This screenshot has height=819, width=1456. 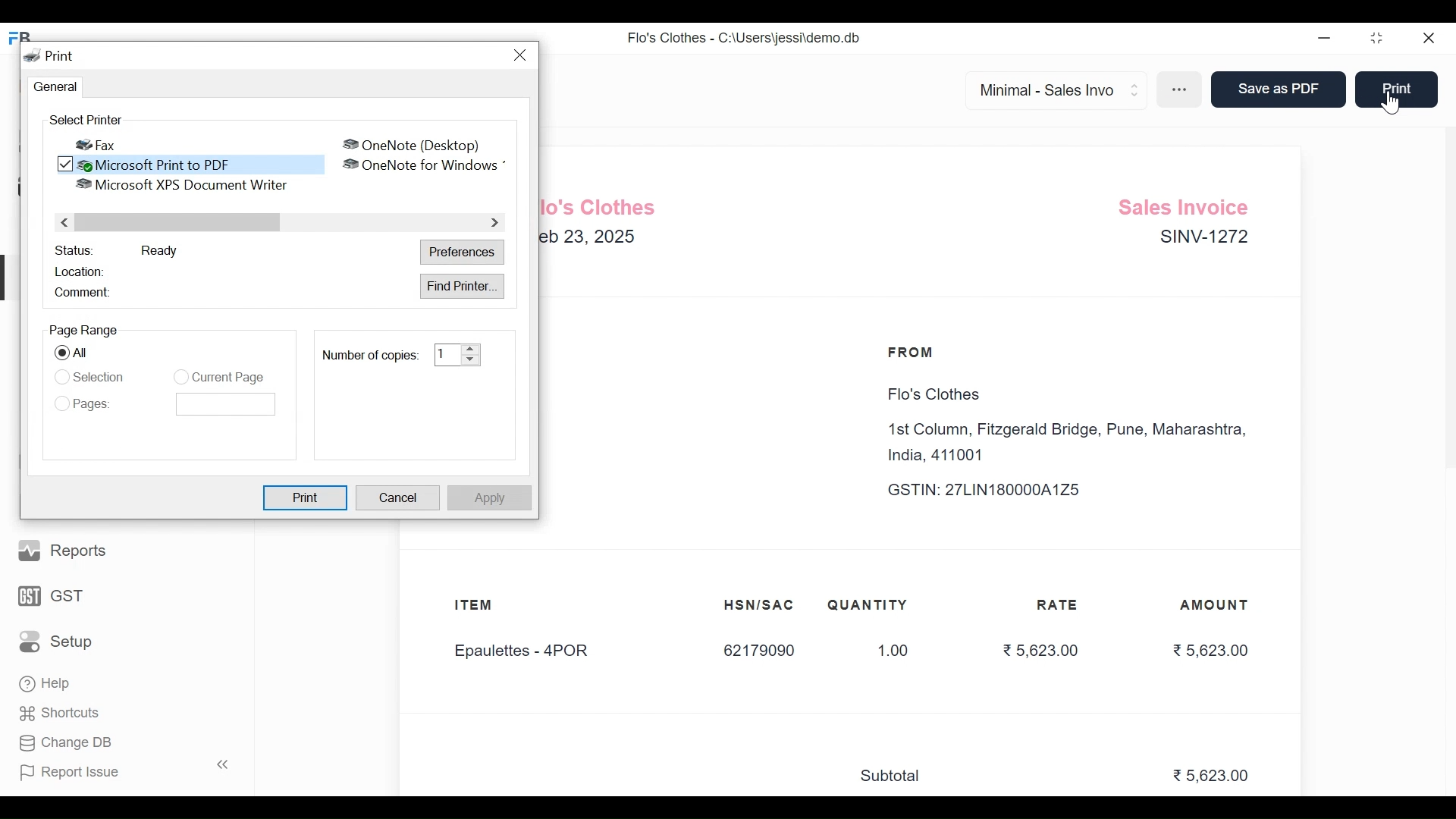 What do you see at coordinates (61, 353) in the screenshot?
I see `select` at bounding box center [61, 353].